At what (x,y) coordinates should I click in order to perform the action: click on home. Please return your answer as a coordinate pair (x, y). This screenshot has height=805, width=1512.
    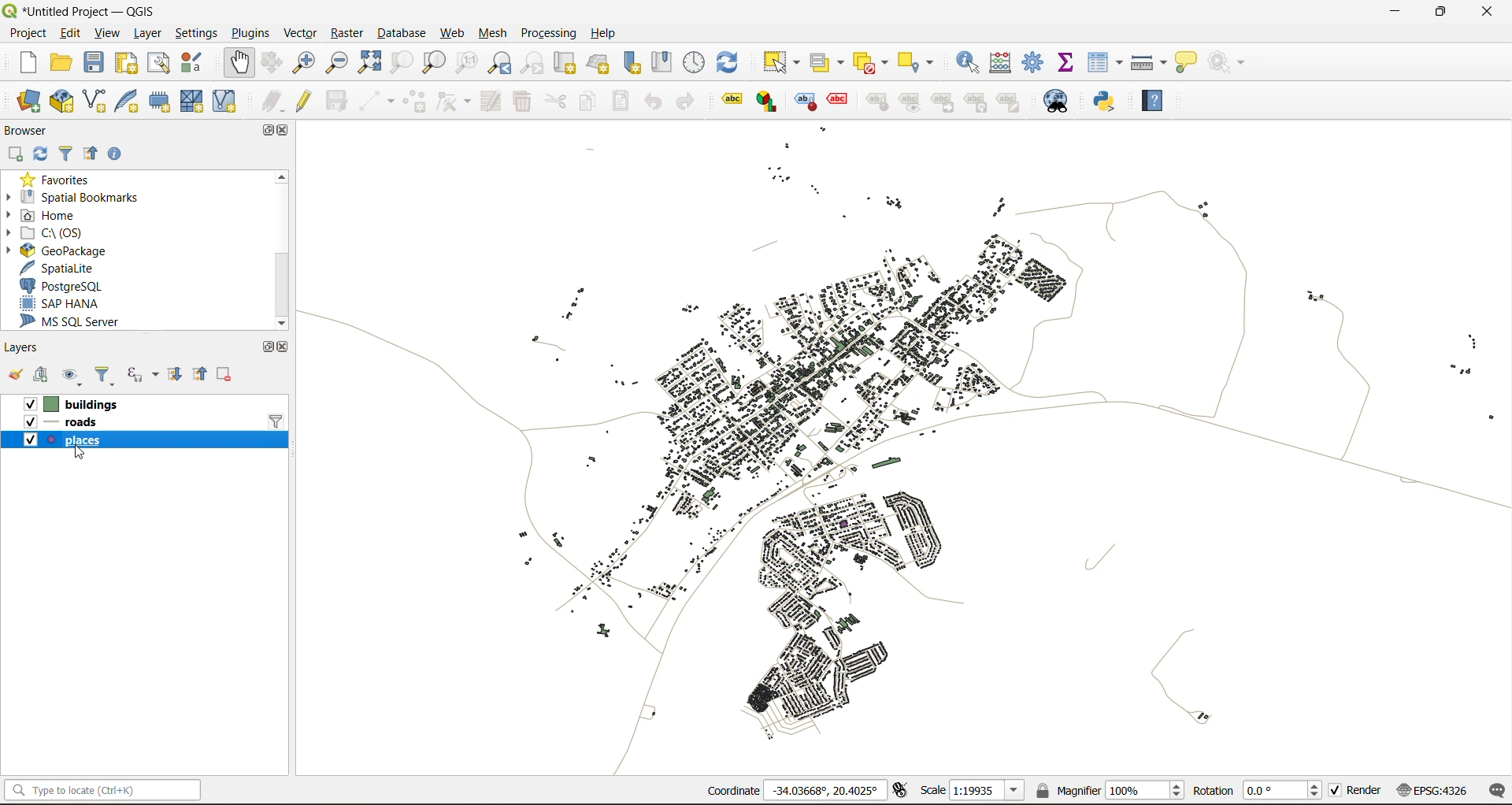
    Looking at the image, I should click on (58, 214).